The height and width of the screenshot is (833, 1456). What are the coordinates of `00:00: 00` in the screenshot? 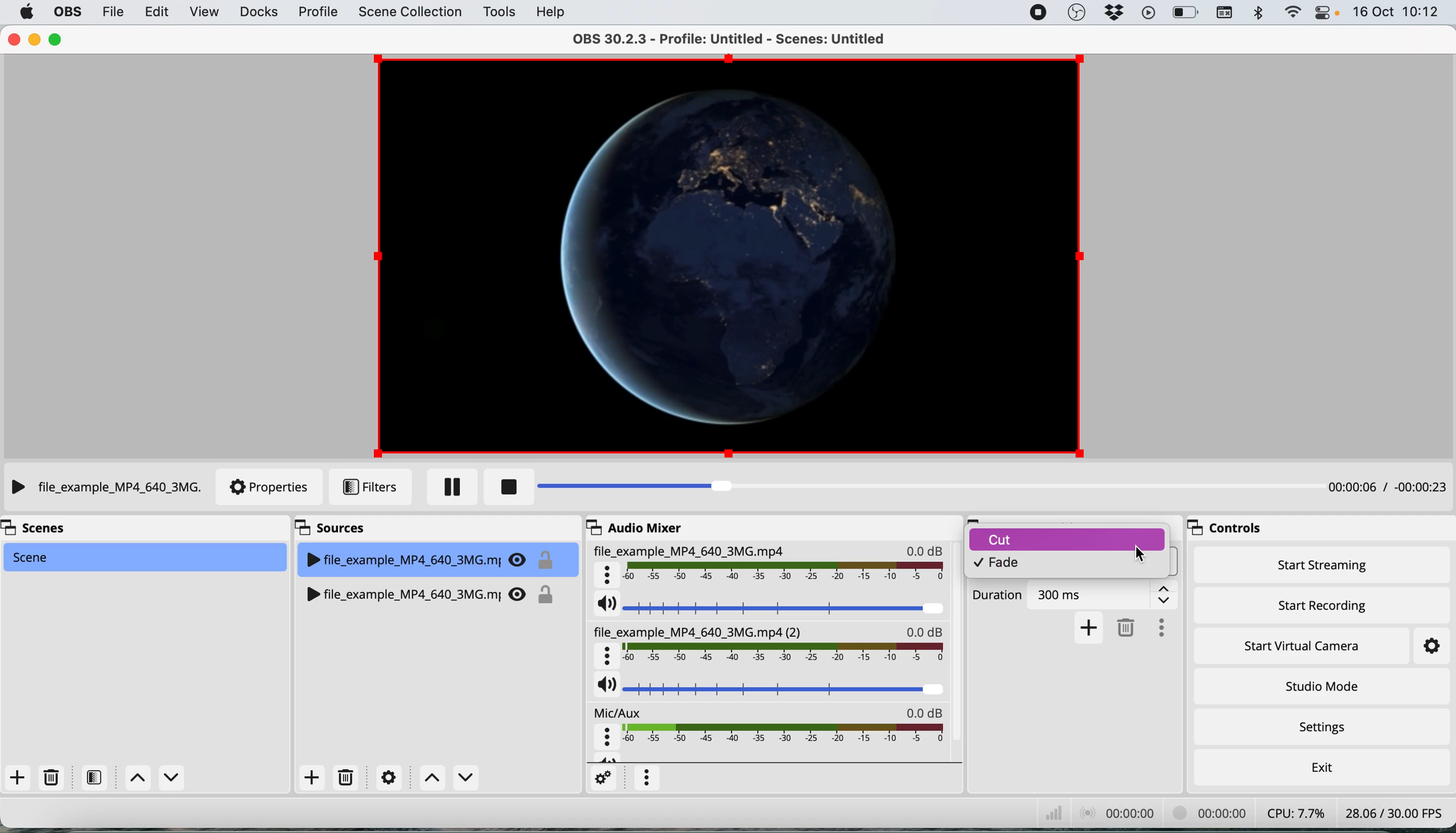 It's located at (1118, 815).